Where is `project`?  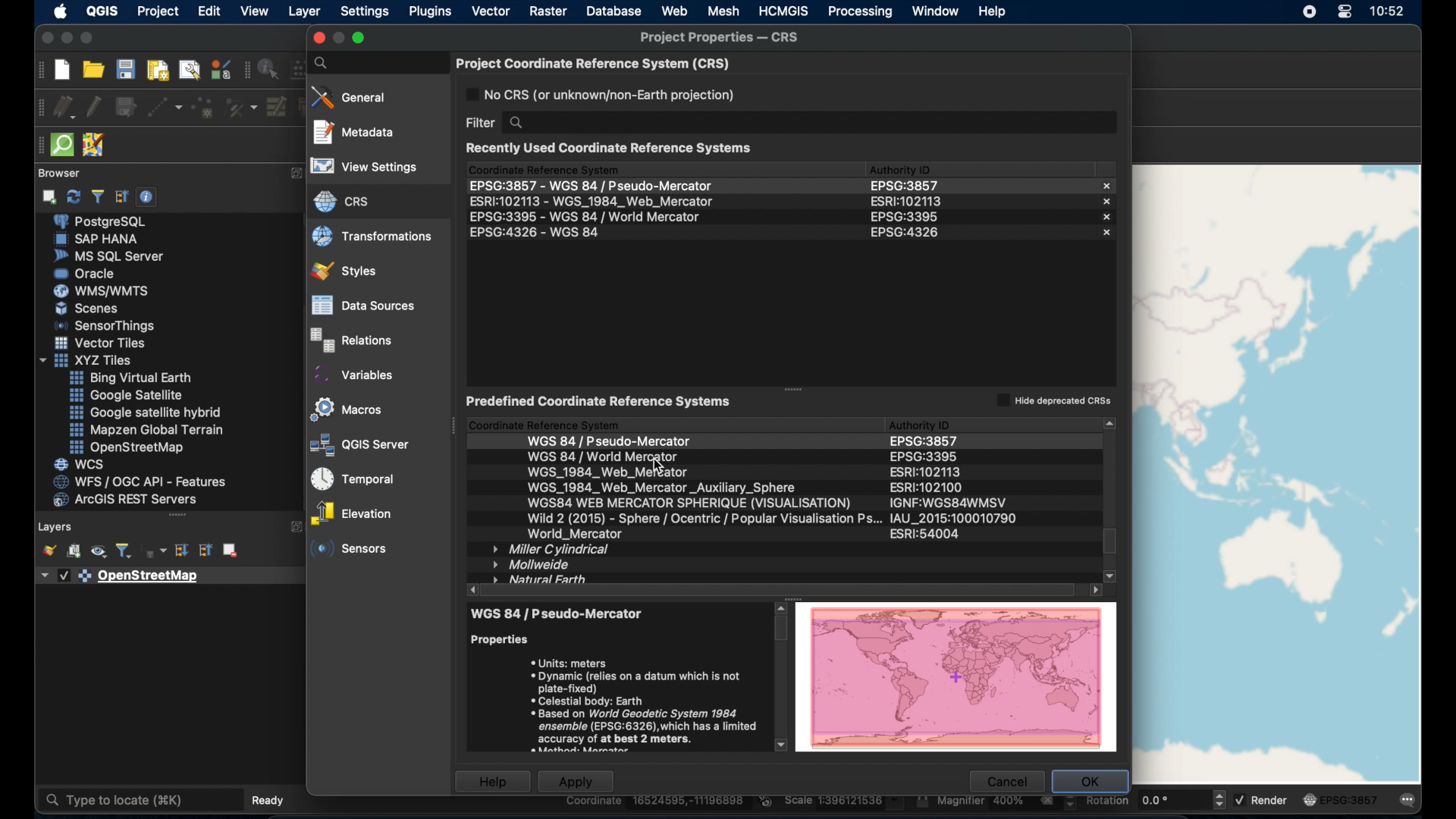 project is located at coordinates (156, 11).